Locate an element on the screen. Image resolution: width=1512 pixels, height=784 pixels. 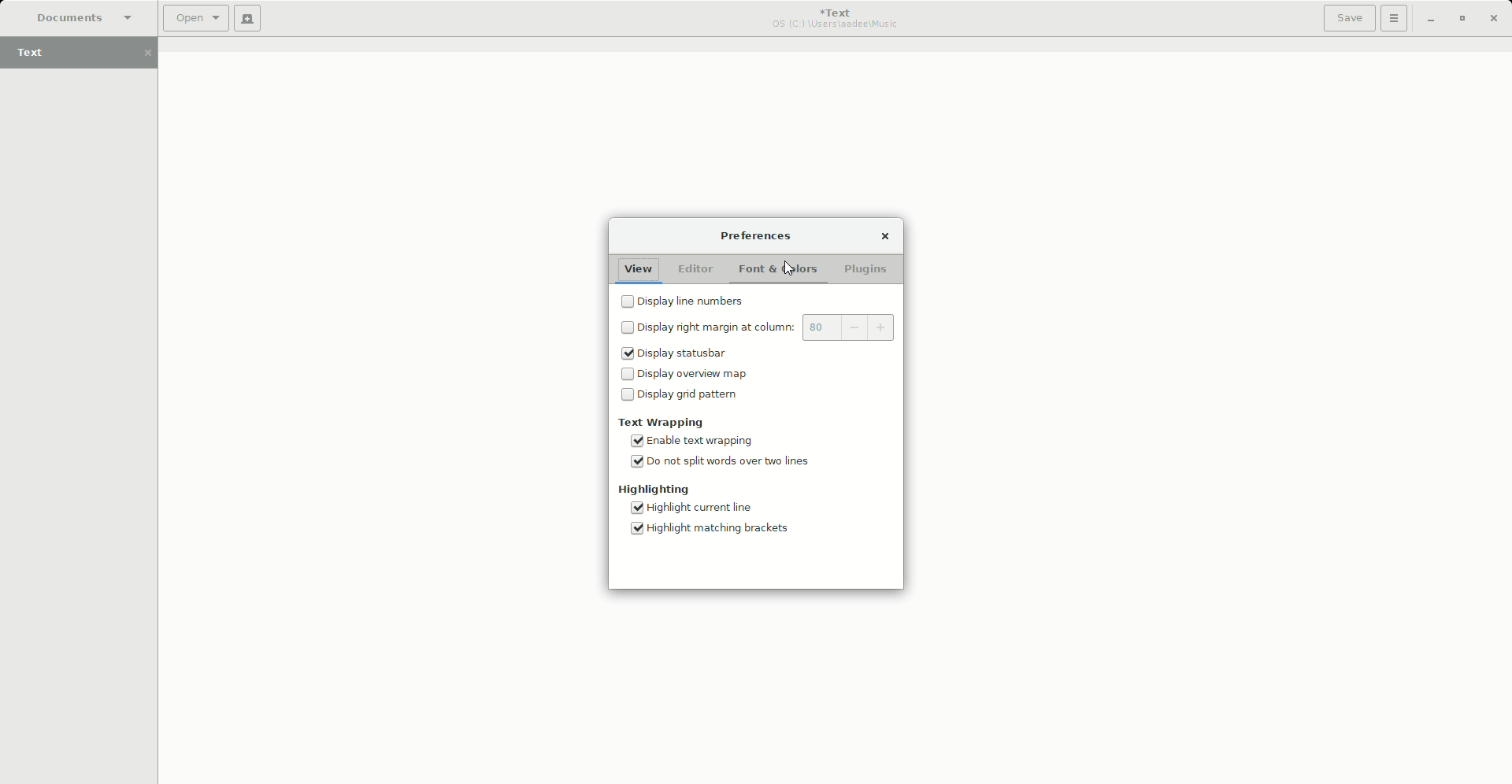
cursor is located at coordinates (787, 268).